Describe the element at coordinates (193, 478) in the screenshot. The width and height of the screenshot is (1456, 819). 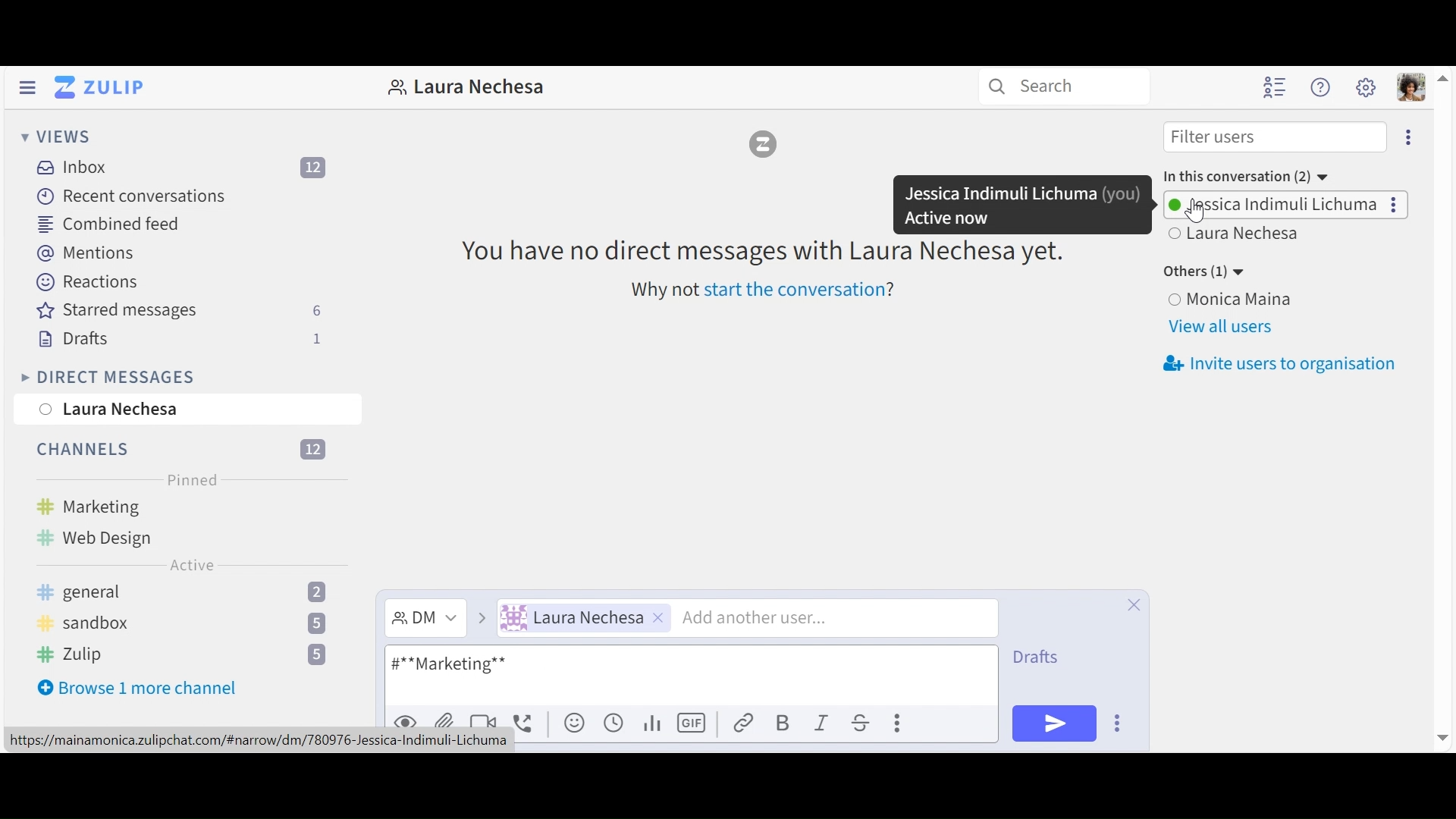
I see `Pinned` at that location.